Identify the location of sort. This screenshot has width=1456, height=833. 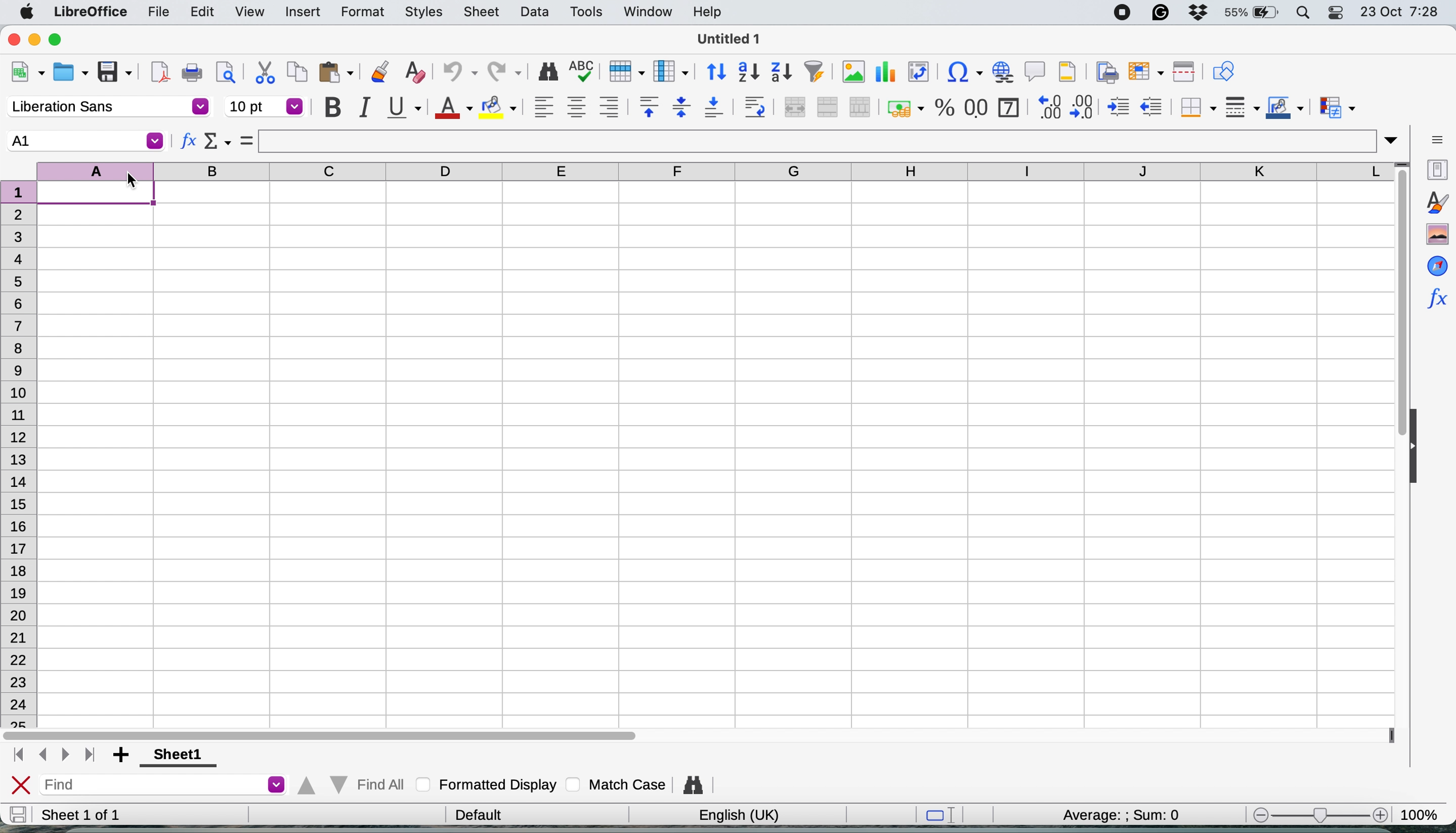
(713, 72).